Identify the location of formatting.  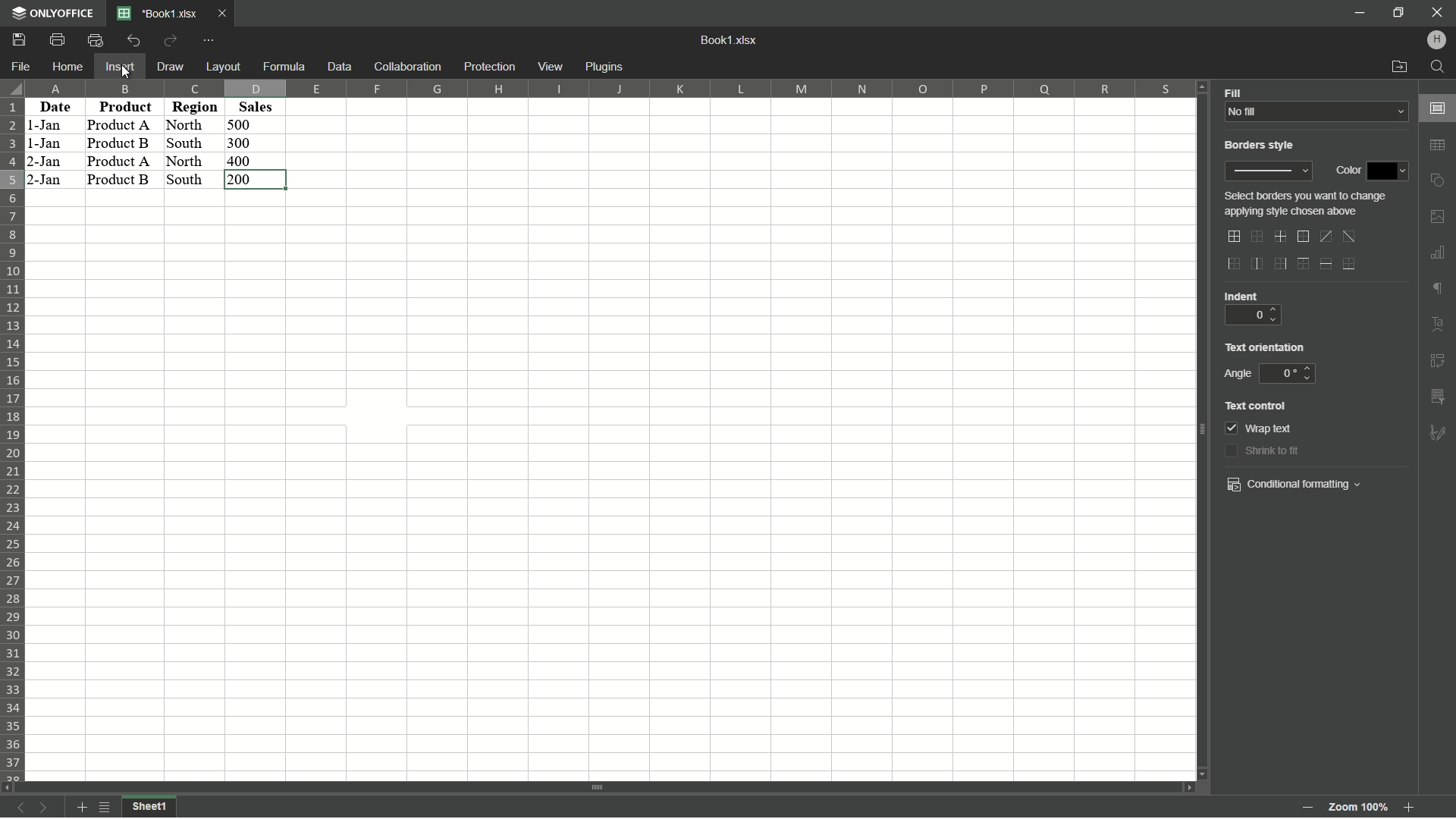
(1438, 431).